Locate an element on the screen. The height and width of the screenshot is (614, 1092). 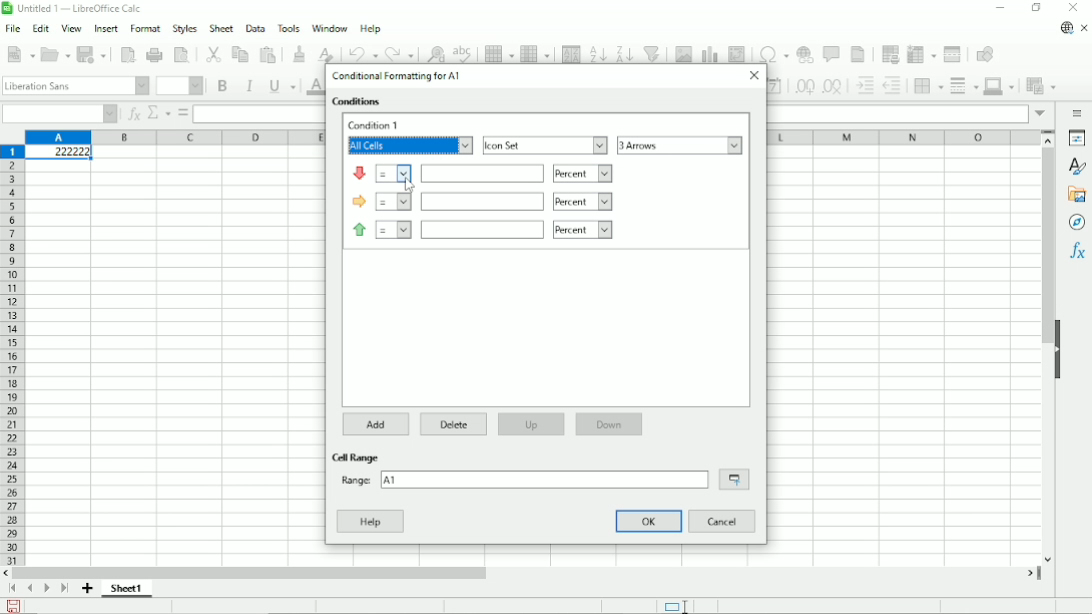
Functions is located at coordinates (1077, 252).